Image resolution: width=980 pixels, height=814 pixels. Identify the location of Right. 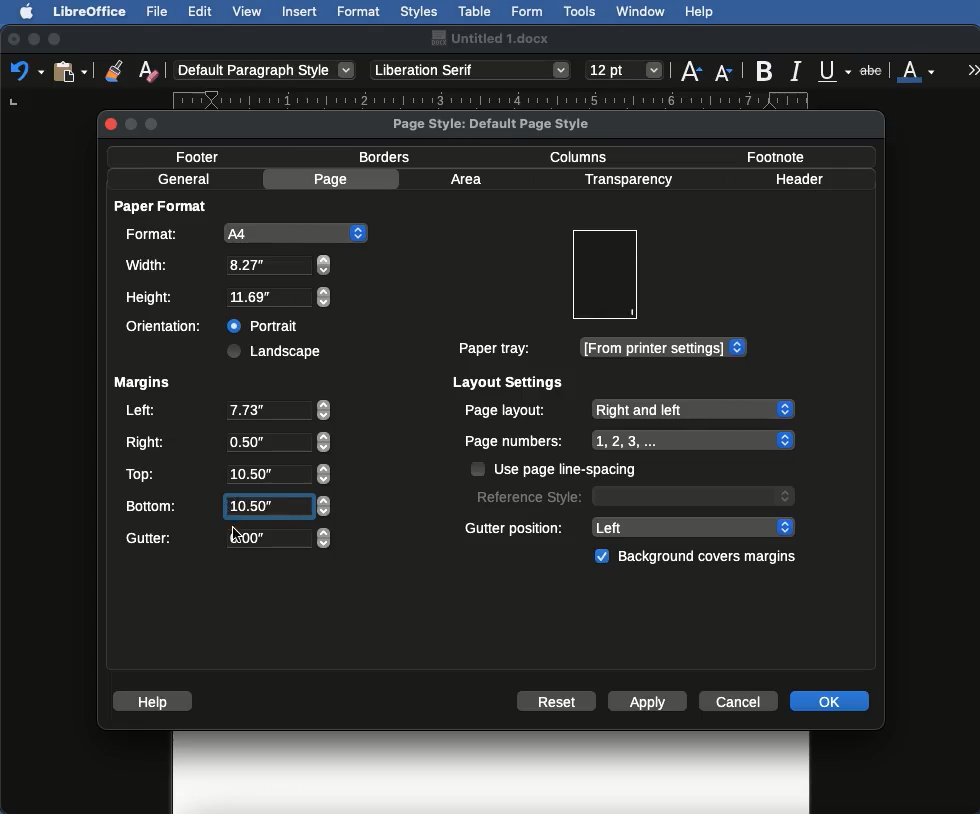
(226, 443).